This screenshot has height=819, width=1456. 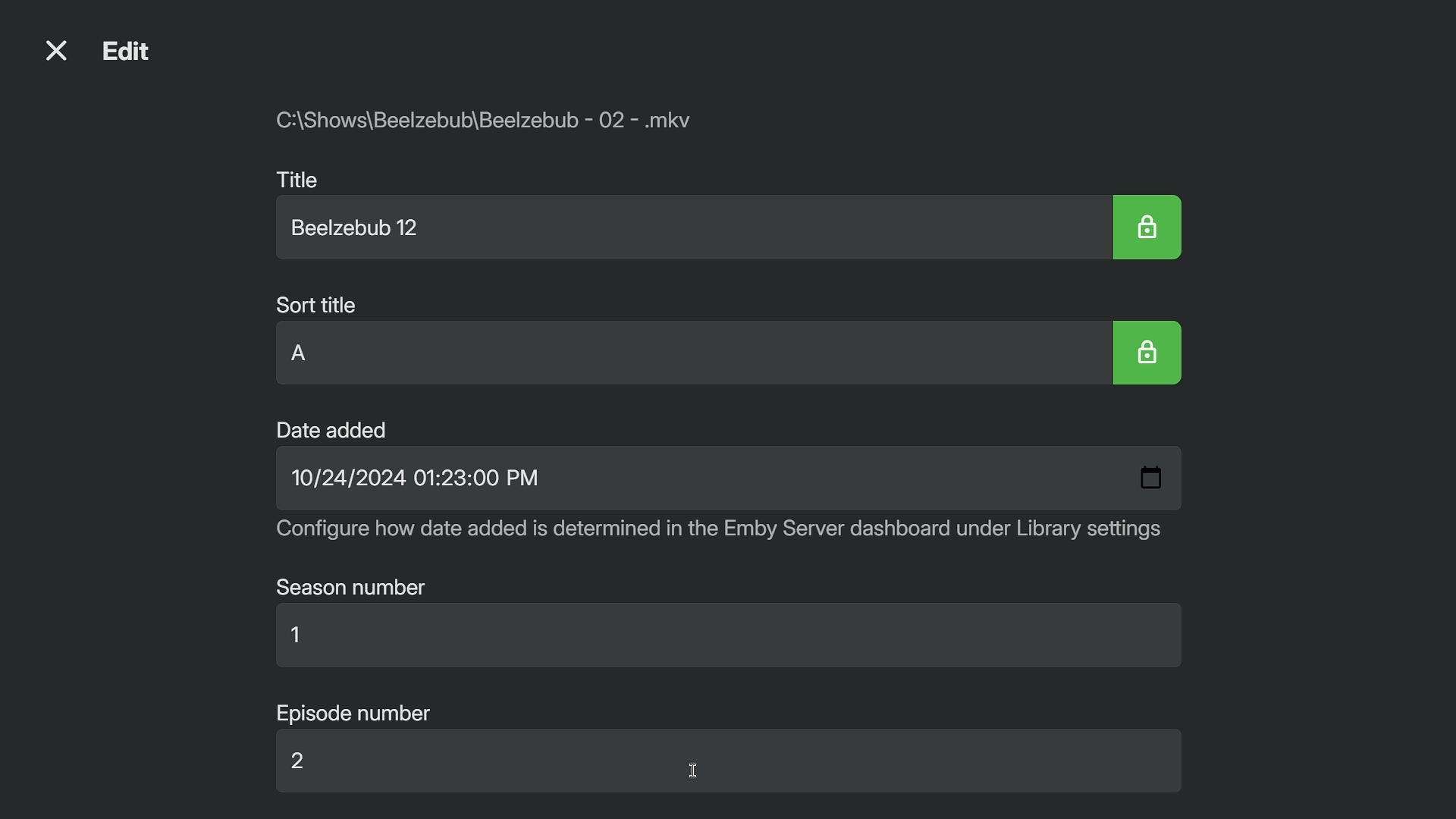 What do you see at coordinates (498, 127) in the screenshot?
I see `C:\Shows\Beelzebub\Beelzebub - 02 - .mkv` at bounding box center [498, 127].